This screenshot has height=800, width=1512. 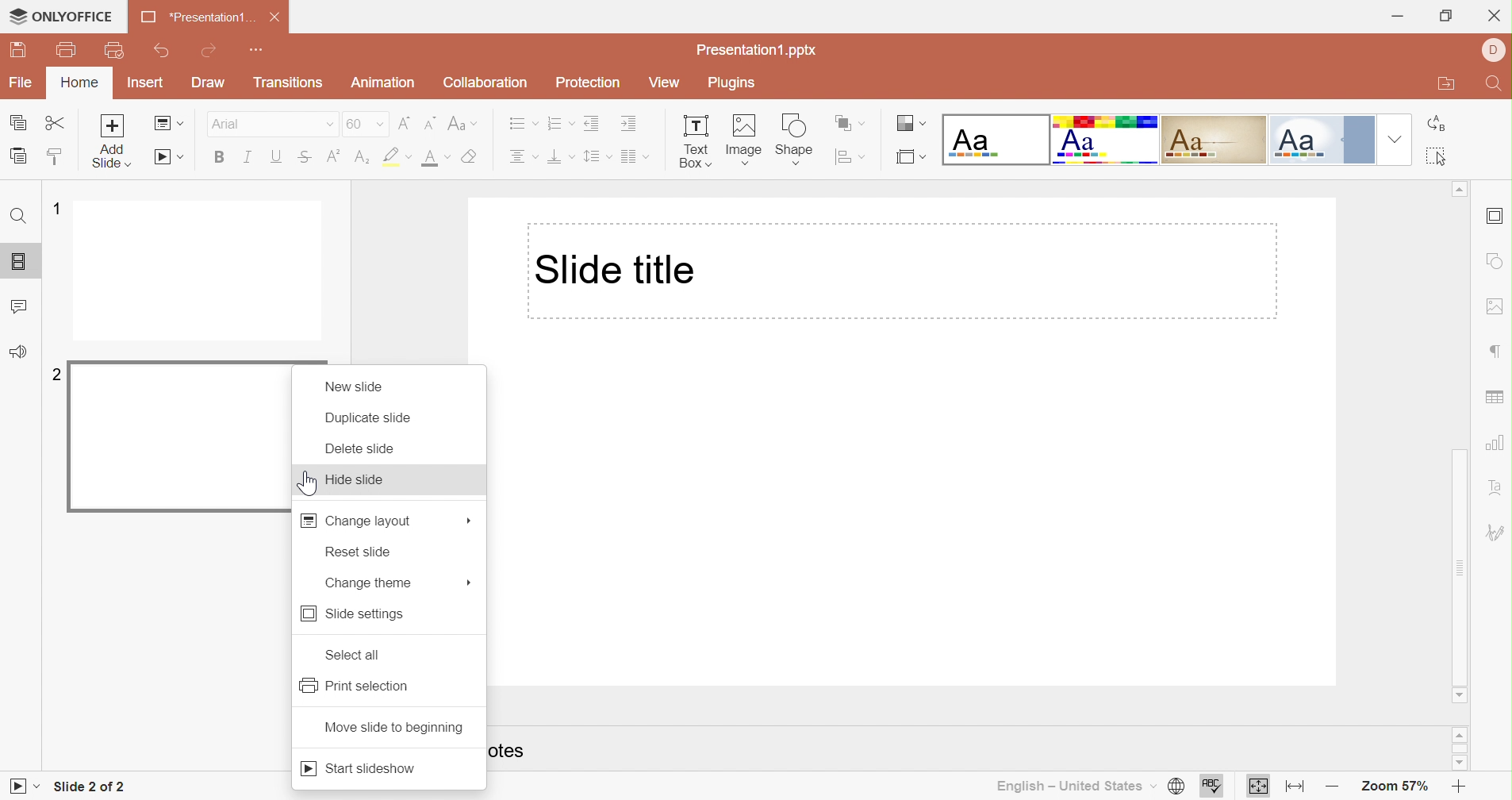 I want to click on Transition, so click(x=289, y=86).